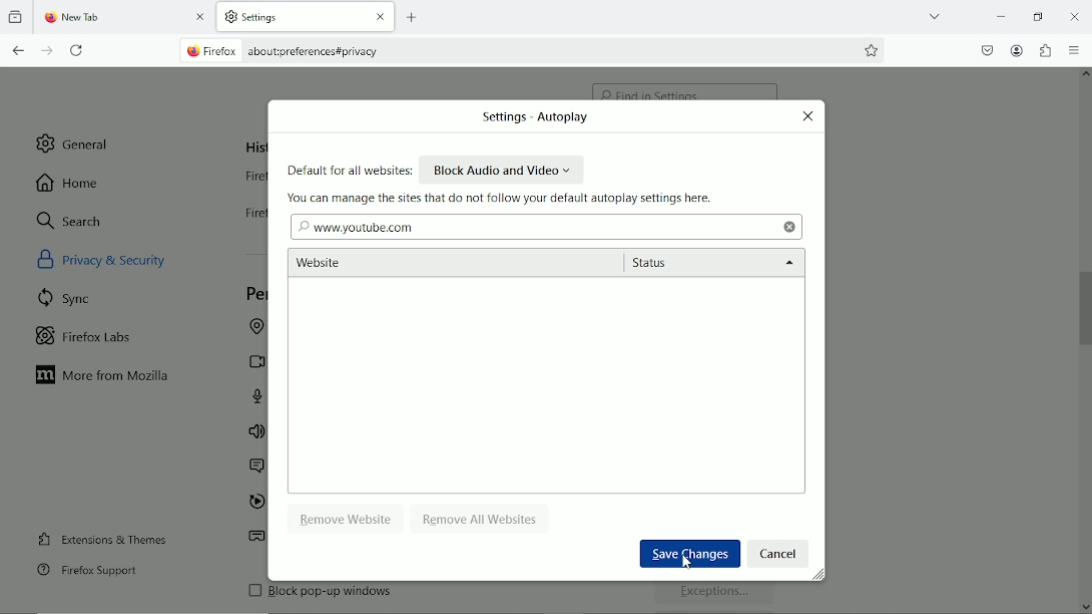 The width and height of the screenshot is (1092, 614). I want to click on restore down, so click(1038, 14).